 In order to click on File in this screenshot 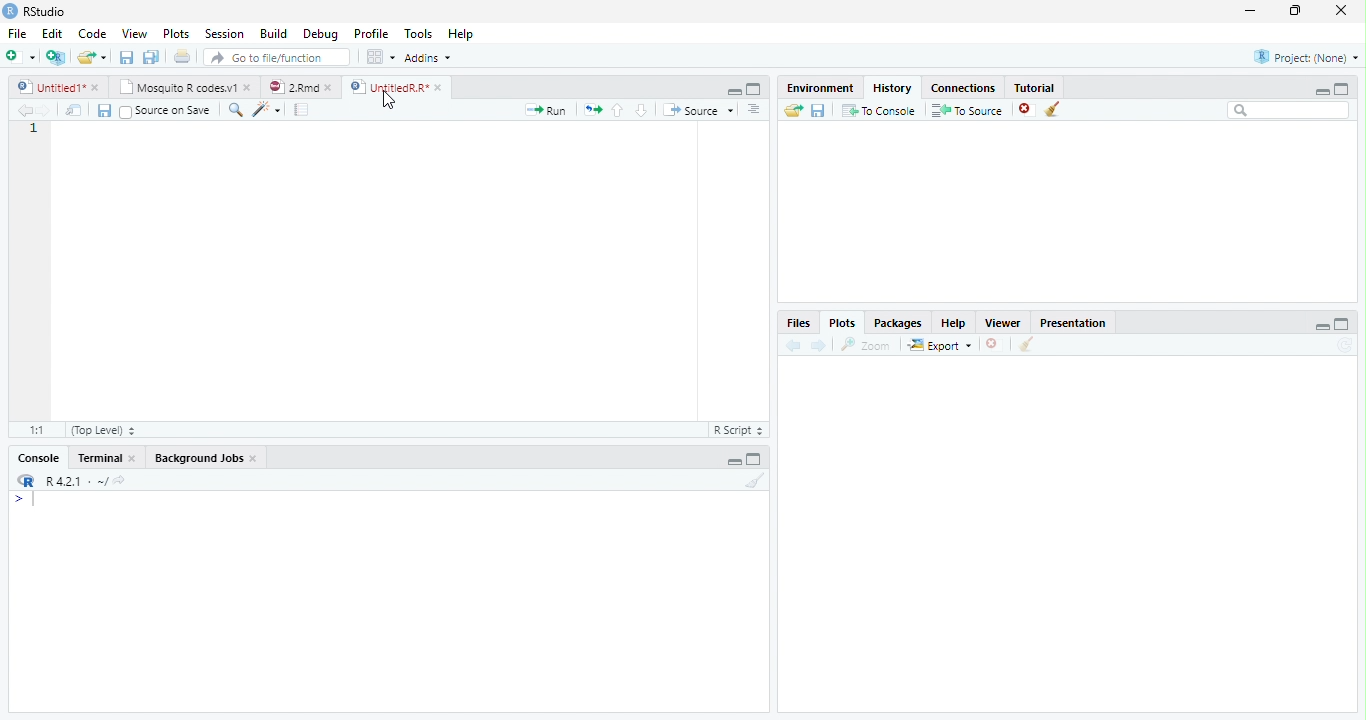, I will do `click(16, 34)`.